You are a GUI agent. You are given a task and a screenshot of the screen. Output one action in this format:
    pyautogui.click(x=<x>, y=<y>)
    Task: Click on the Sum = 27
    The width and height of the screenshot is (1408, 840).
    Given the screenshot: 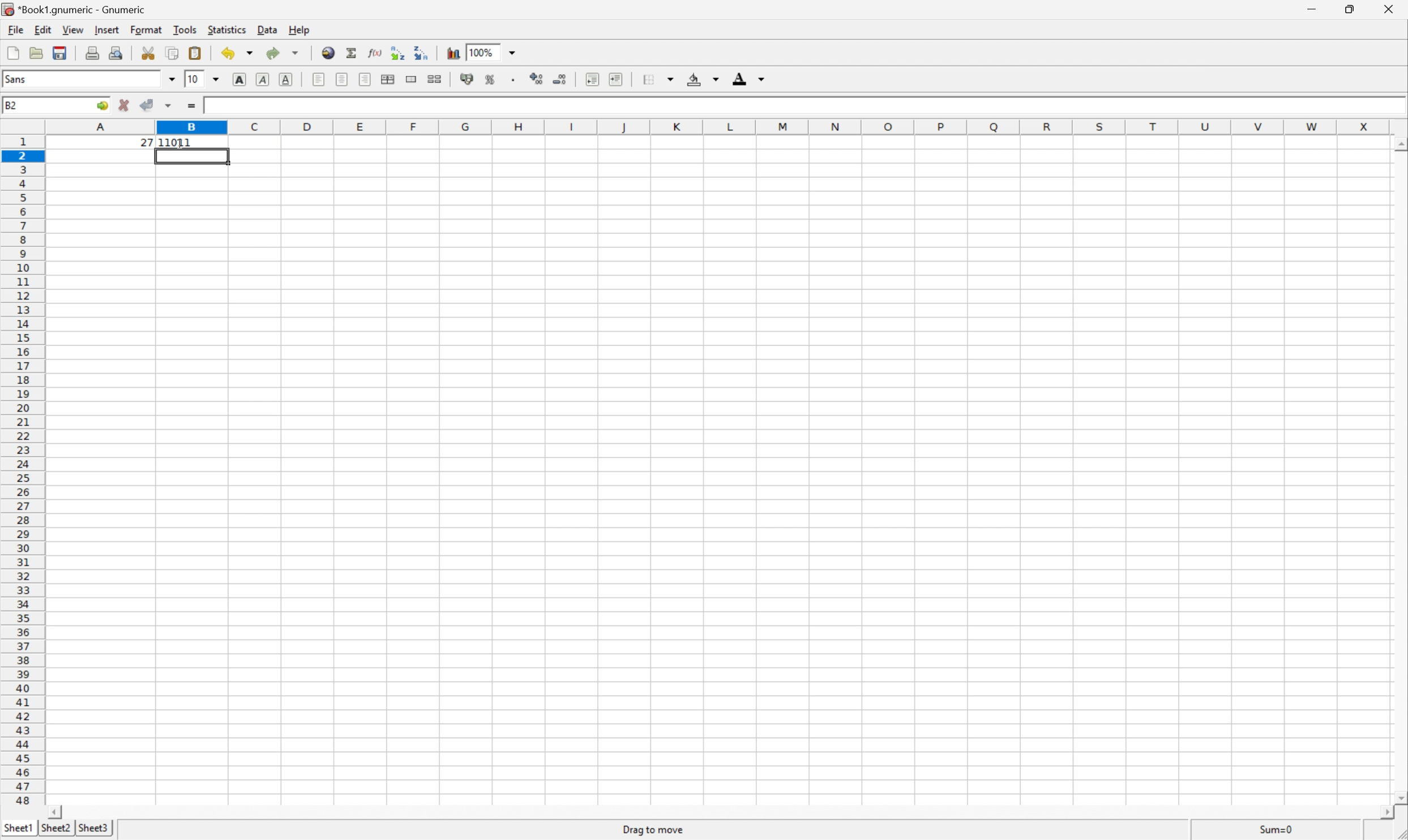 What is the action you would take?
    pyautogui.click(x=1277, y=829)
    